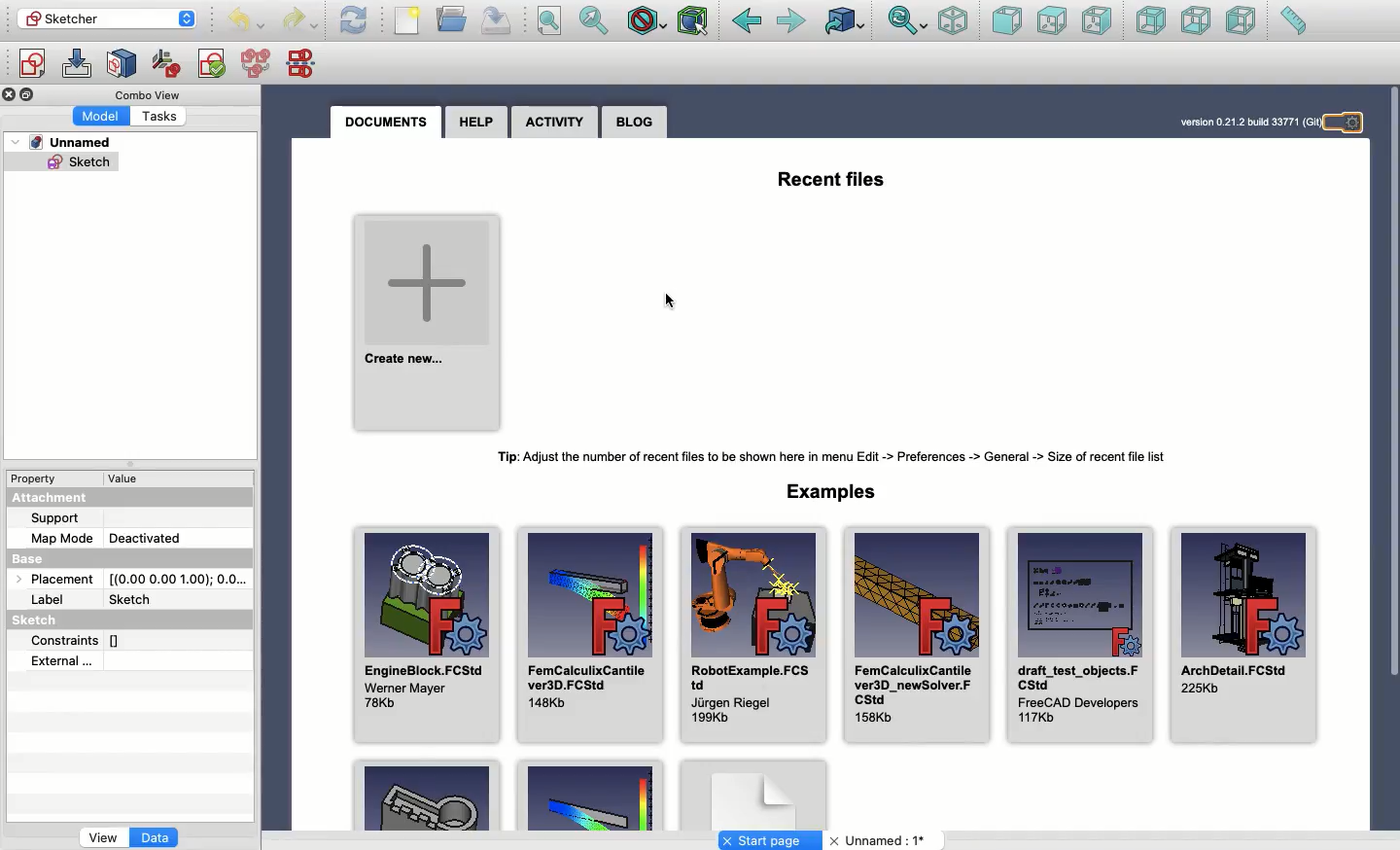 Image resolution: width=1400 pixels, height=850 pixels. I want to click on Blog, so click(634, 123).